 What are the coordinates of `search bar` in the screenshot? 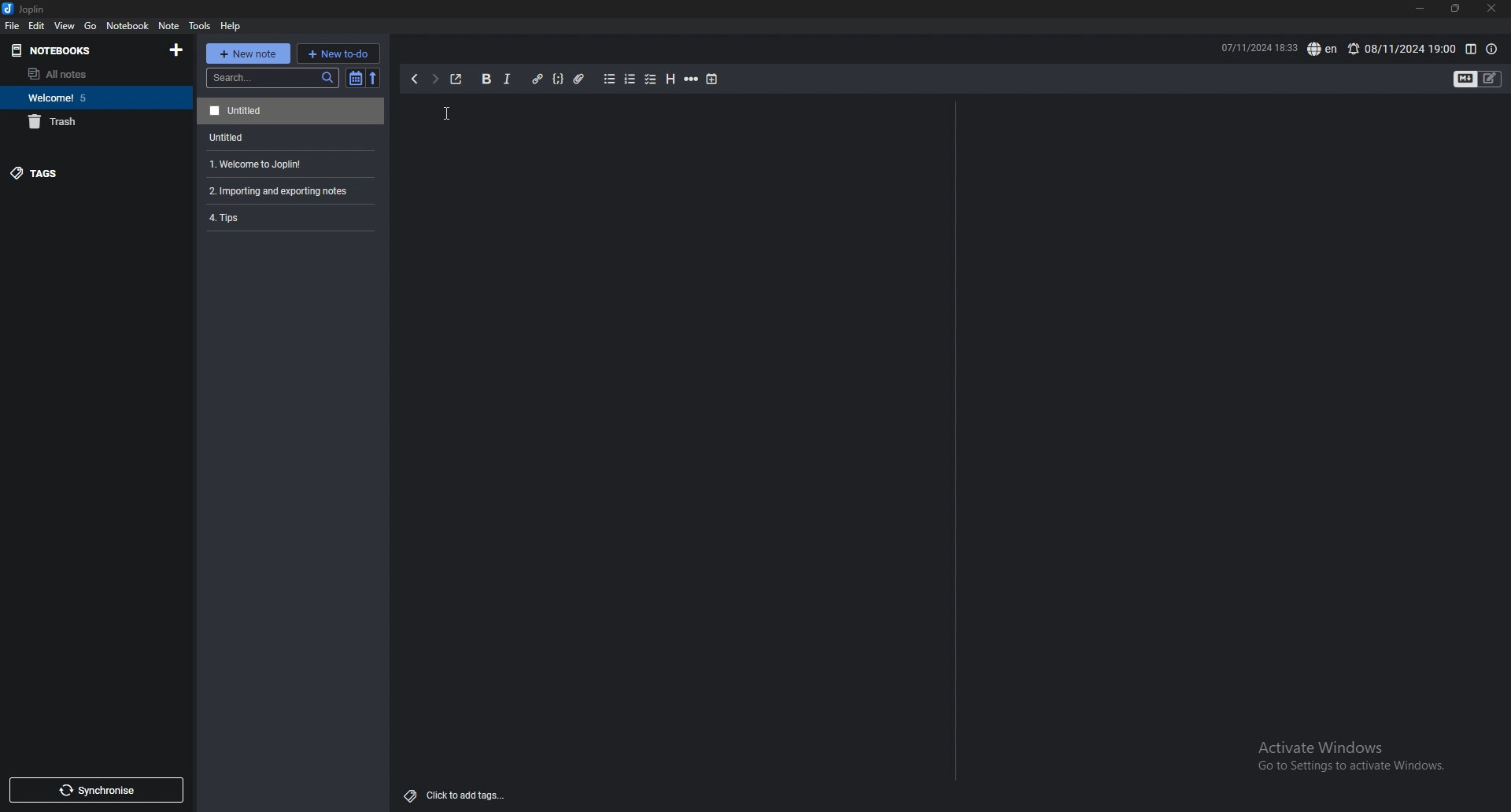 It's located at (272, 78).